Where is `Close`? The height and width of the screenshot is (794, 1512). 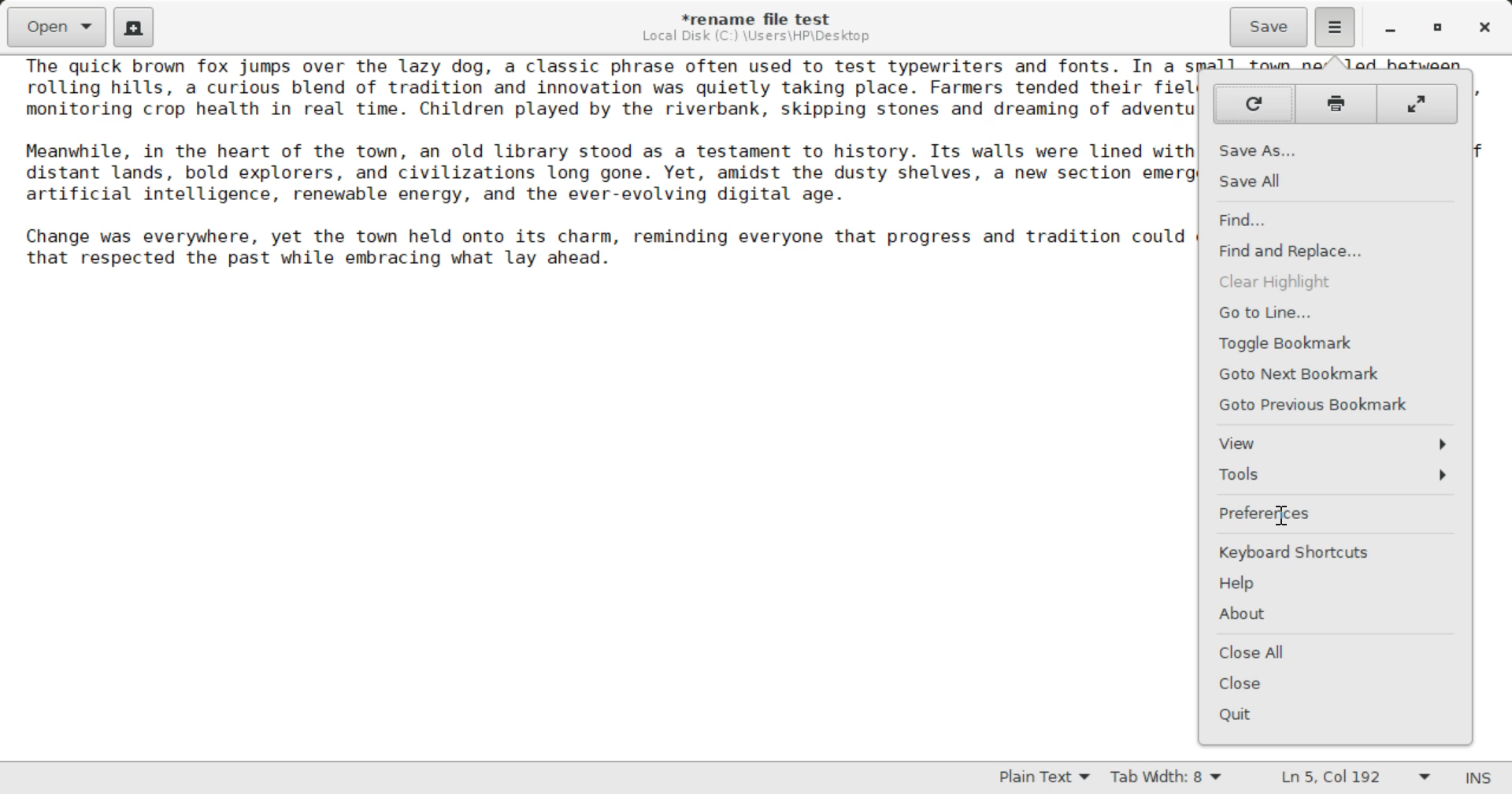
Close is located at coordinates (1336, 684).